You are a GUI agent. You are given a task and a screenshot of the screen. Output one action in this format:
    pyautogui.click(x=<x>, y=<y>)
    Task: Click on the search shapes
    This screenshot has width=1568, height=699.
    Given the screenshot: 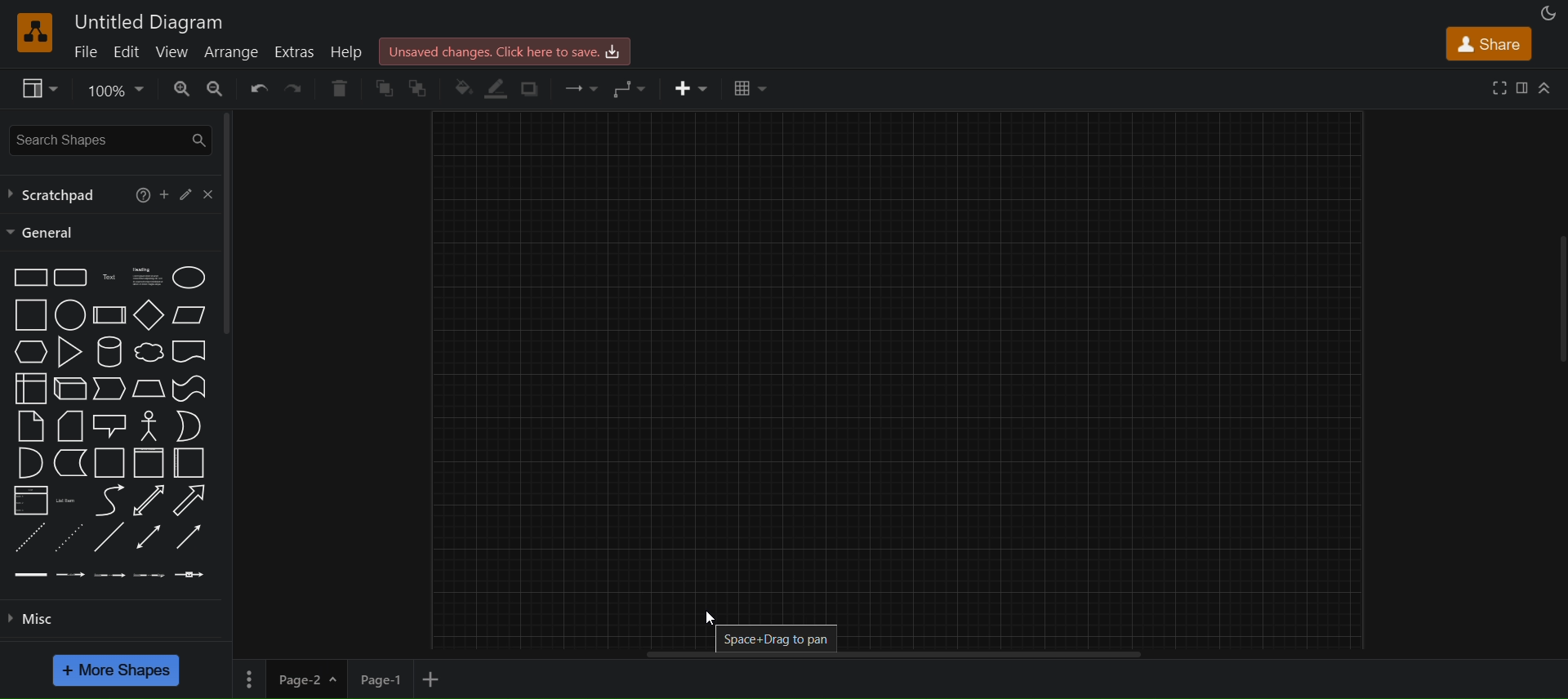 What is the action you would take?
    pyautogui.click(x=108, y=137)
    